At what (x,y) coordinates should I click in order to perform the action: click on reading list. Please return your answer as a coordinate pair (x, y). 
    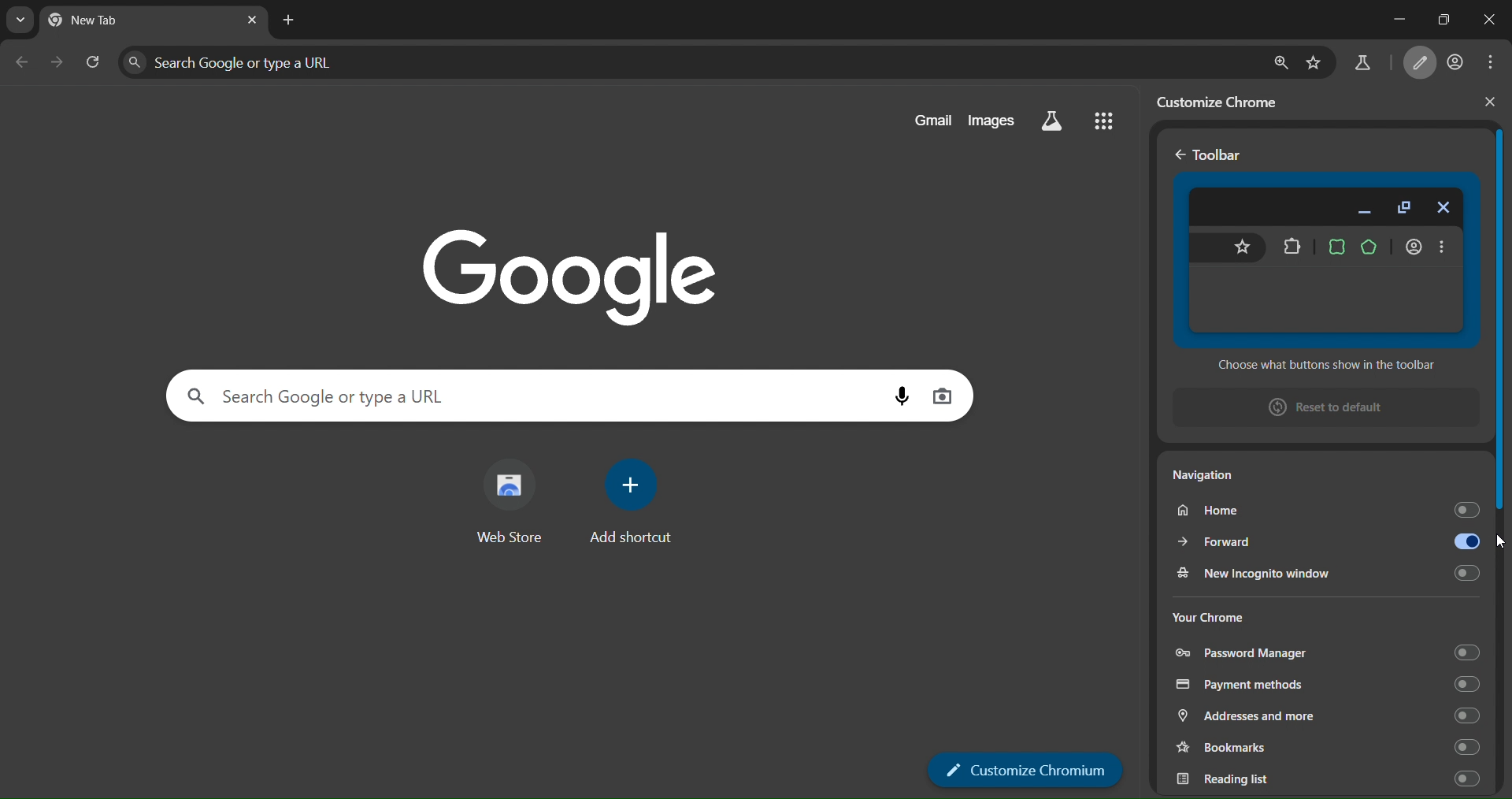
    Looking at the image, I should click on (1325, 779).